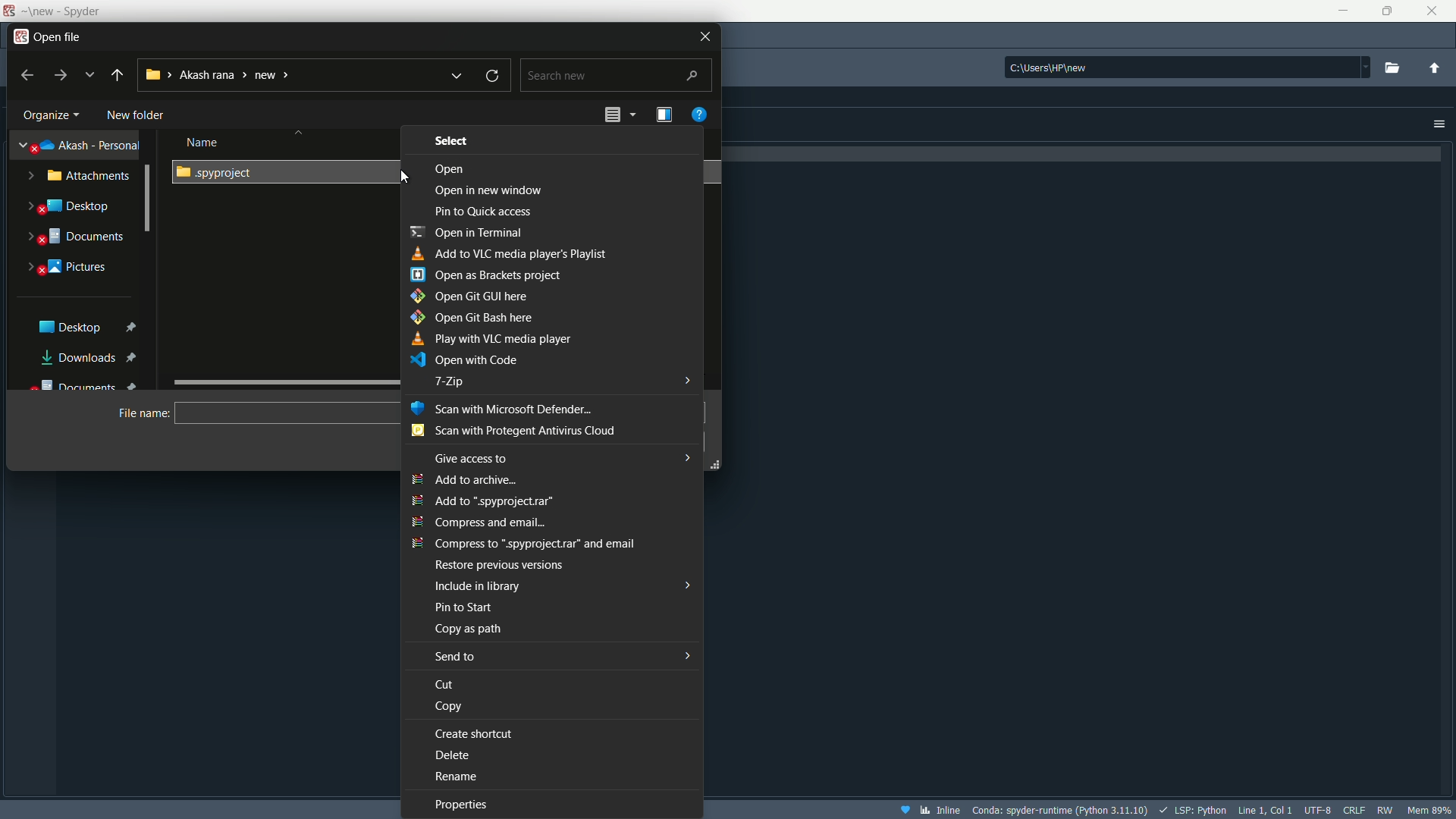 This screenshot has width=1456, height=819. I want to click on add to ".spyproject.rar", so click(497, 502).